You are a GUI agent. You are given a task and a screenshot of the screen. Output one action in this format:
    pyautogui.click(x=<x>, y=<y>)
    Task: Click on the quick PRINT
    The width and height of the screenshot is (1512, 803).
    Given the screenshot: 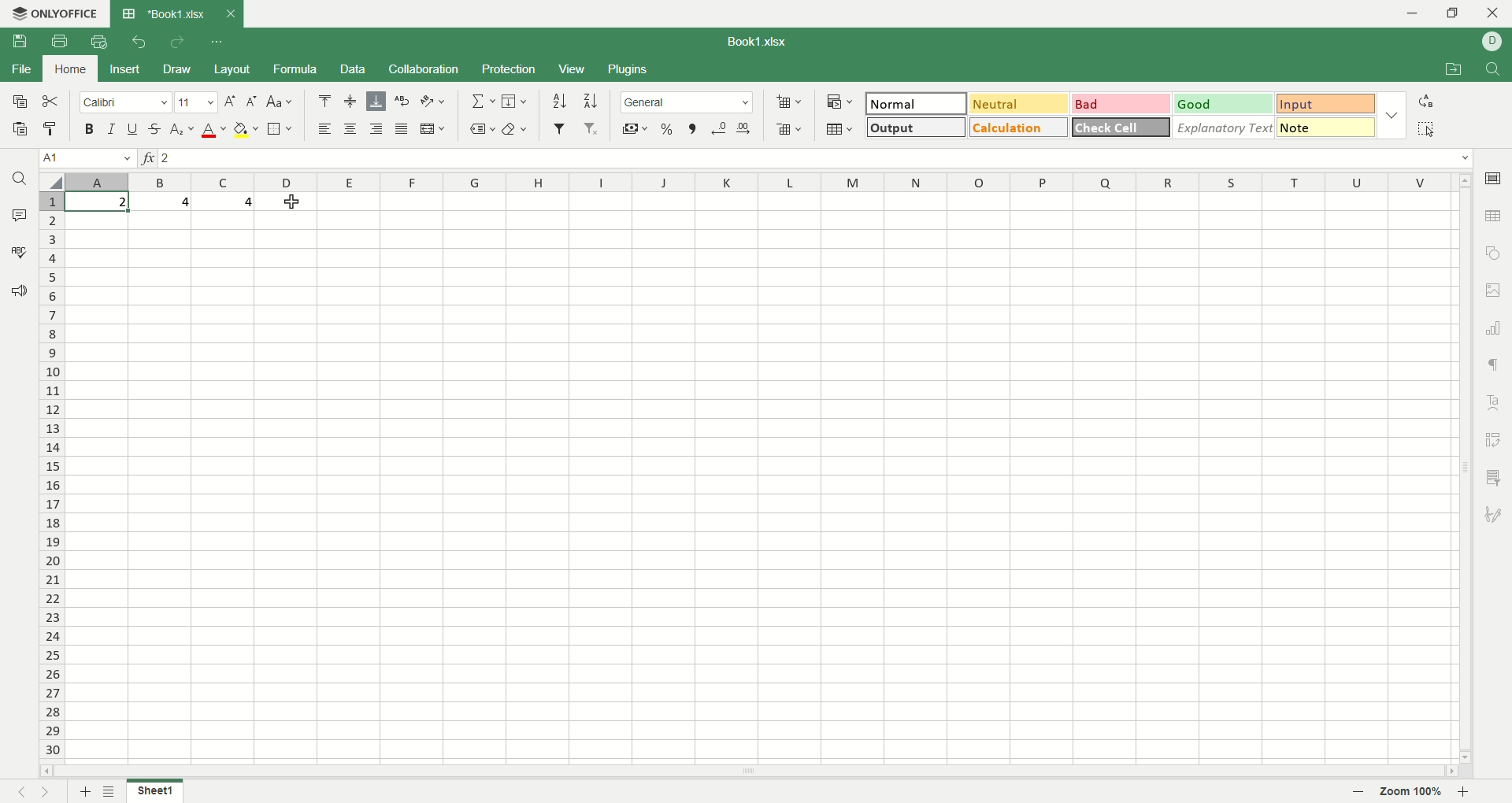 What is the action you would take?
    pyautogui.click(x=98, y=42)
    